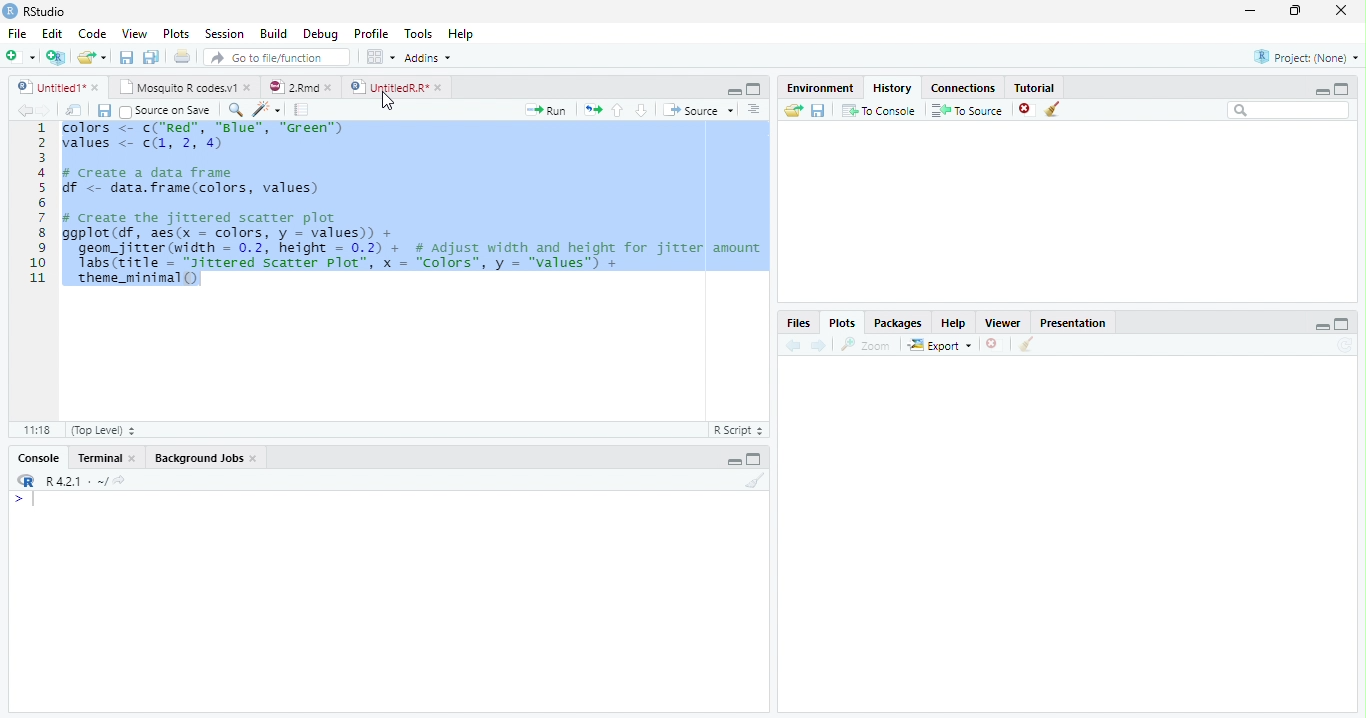 The image size is (1366, 718). What do you see at coordinates (866, 345) in the screenshot?
I see `Zoom` at bounding box center [866, 345].